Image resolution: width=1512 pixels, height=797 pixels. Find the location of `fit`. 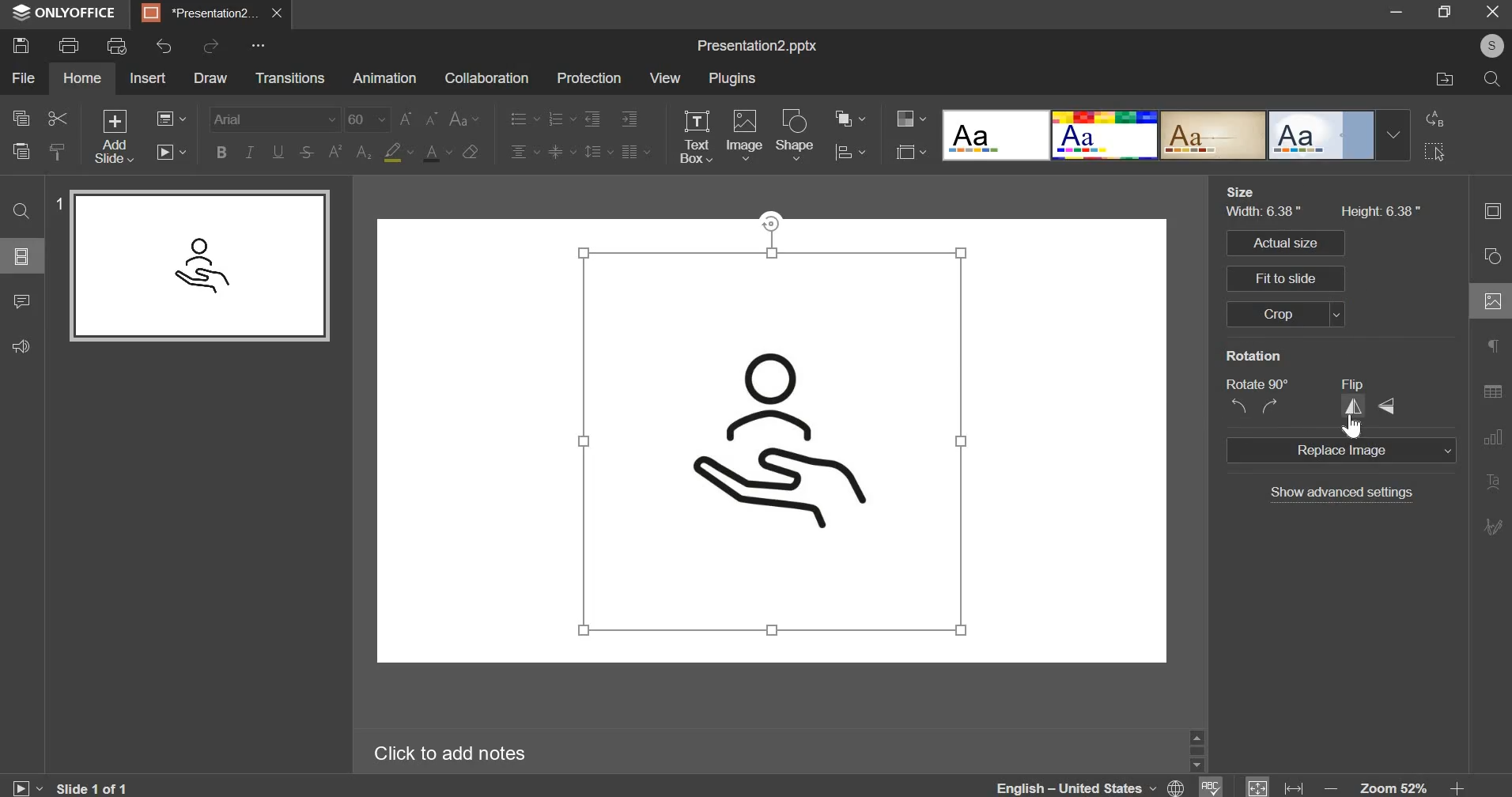

fit is located at coordinates (1276, 786).